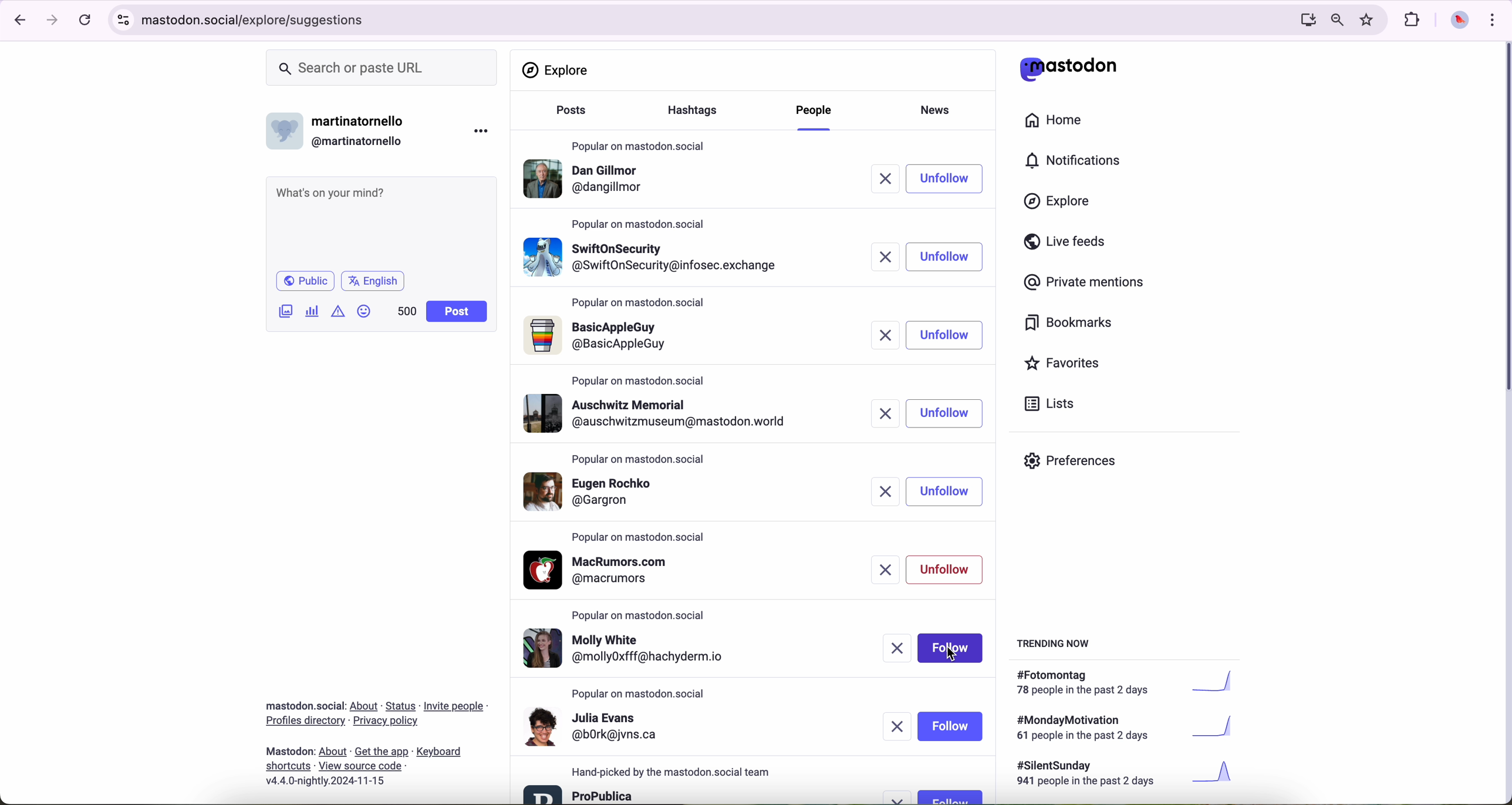 Image resolution: width=1512 pixels, height=805 pixels. What do you see at coordinates (939, 109) in the screenshot?
I see `news` at bounding box center [939, 109].